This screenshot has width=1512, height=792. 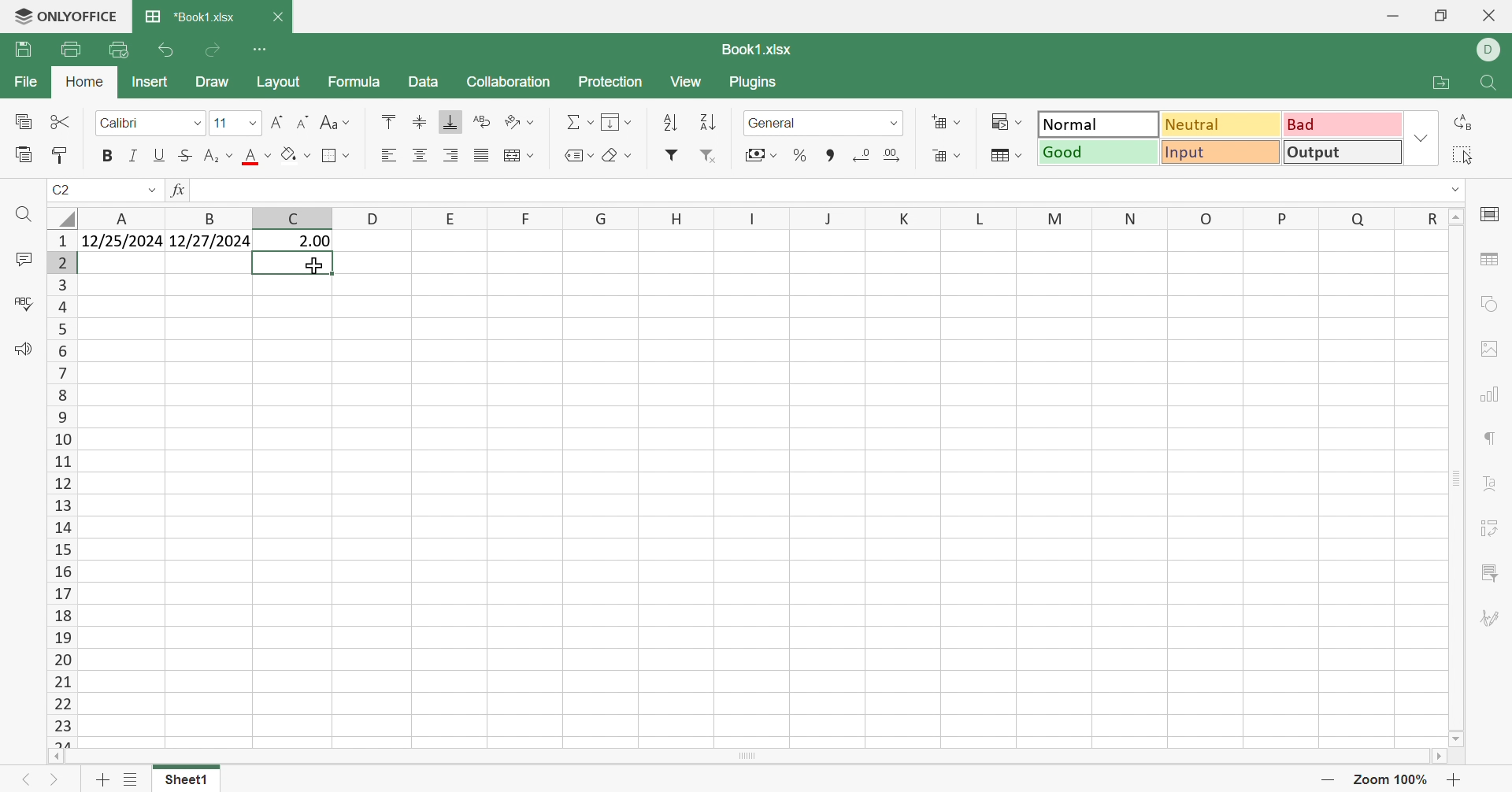 What do you see at coordinates (615, 154) in the screenshot?
I see `Clear` at bounding box center [615, 154].